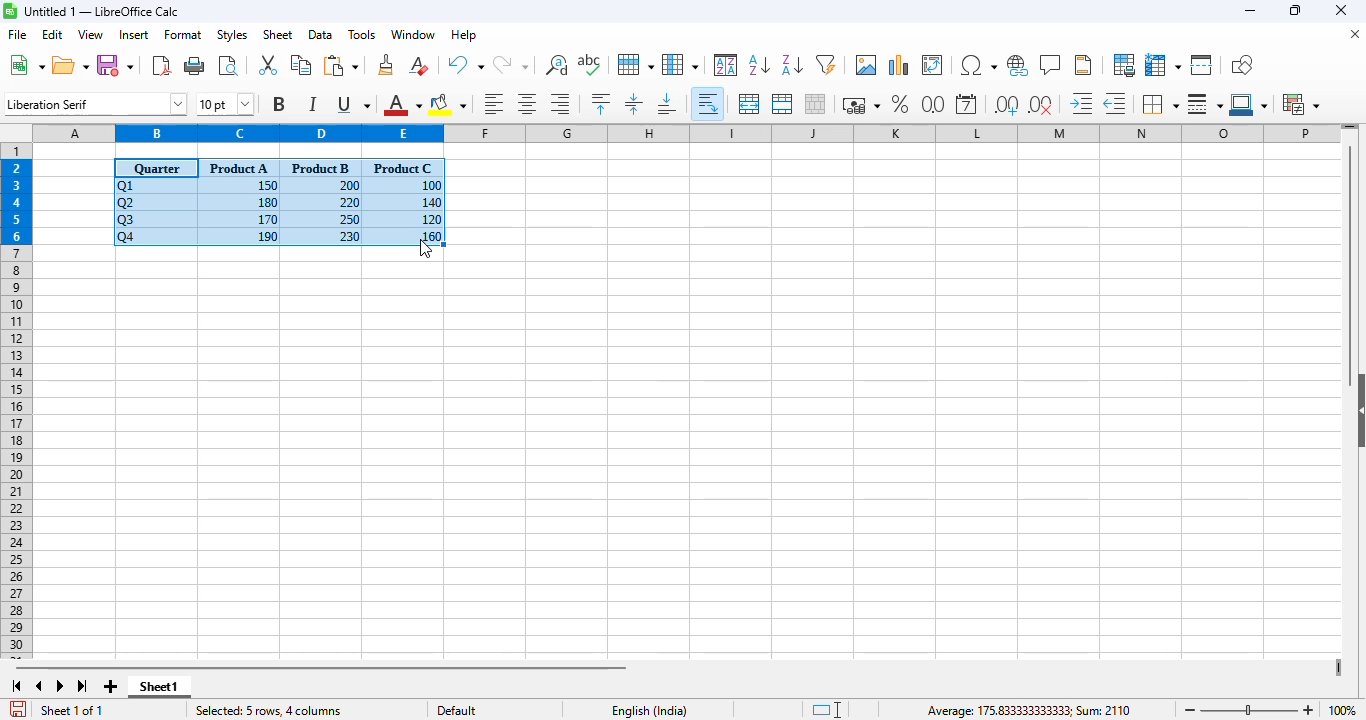 The width and height of the screenshot is (1366, 720). What do you see at coordinates (224, 104) in the screenshot?
I see `font size` at bounding box center [224, 104].